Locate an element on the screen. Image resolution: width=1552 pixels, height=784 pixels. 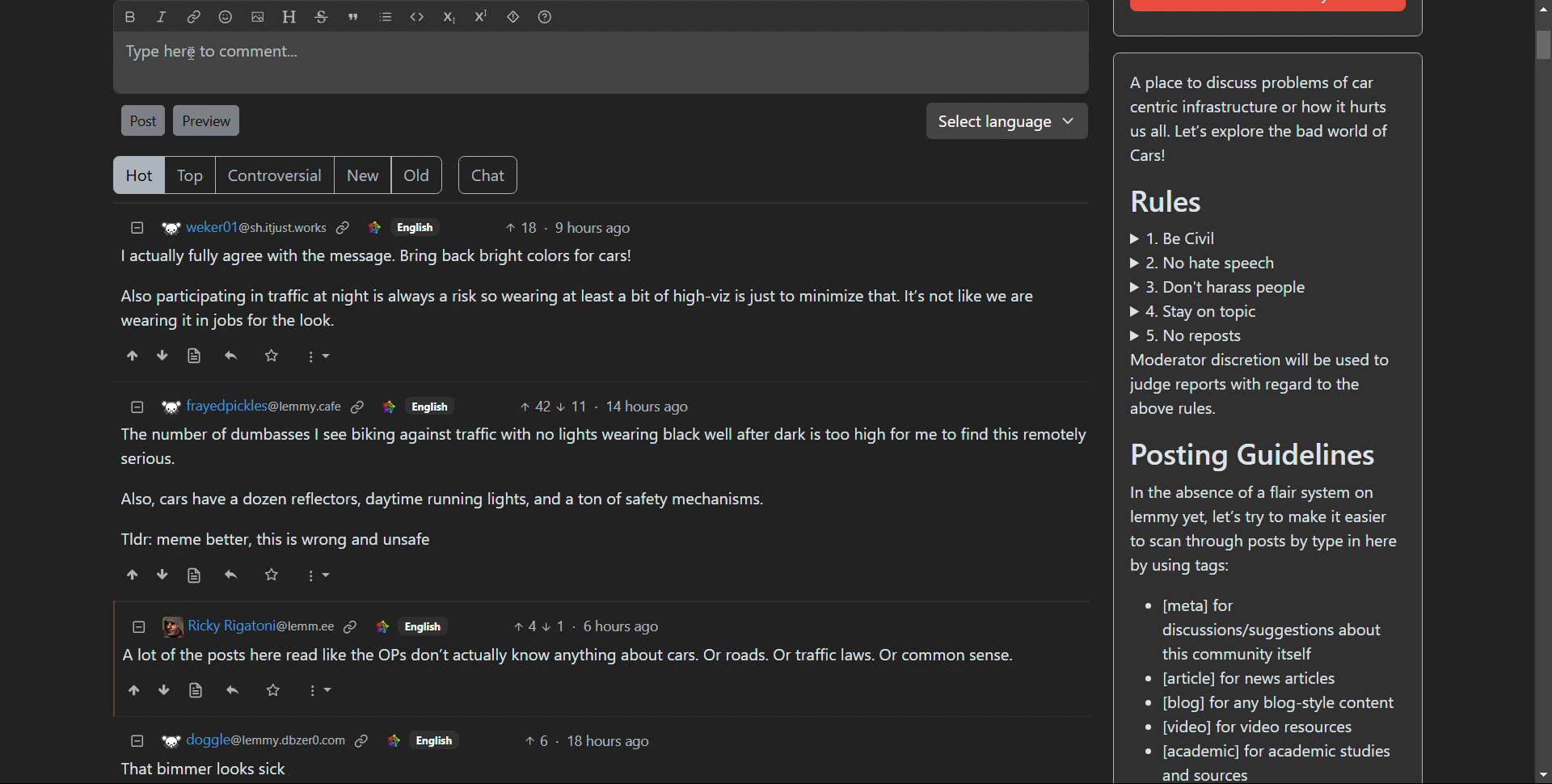
Alot of the posts here read like the OPs don't actually know anything about cars. Or roads. Or traffic laws. Or common sense. is located at coordinates (571, 657).